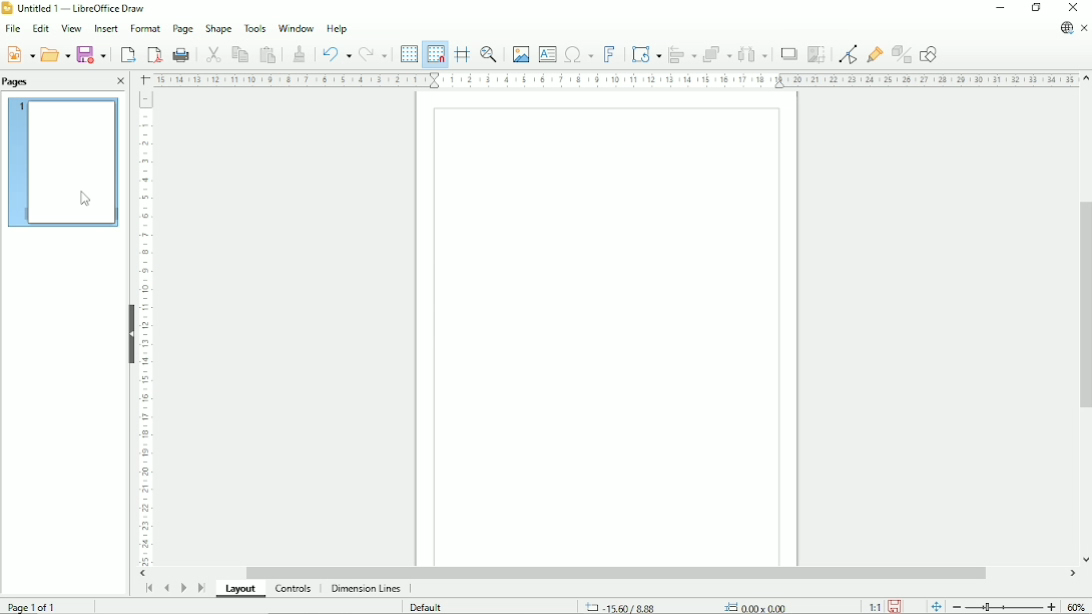 Image resolution: width=1092 pixels, height=614 pixels. I want to click on File, so click(11, 29).